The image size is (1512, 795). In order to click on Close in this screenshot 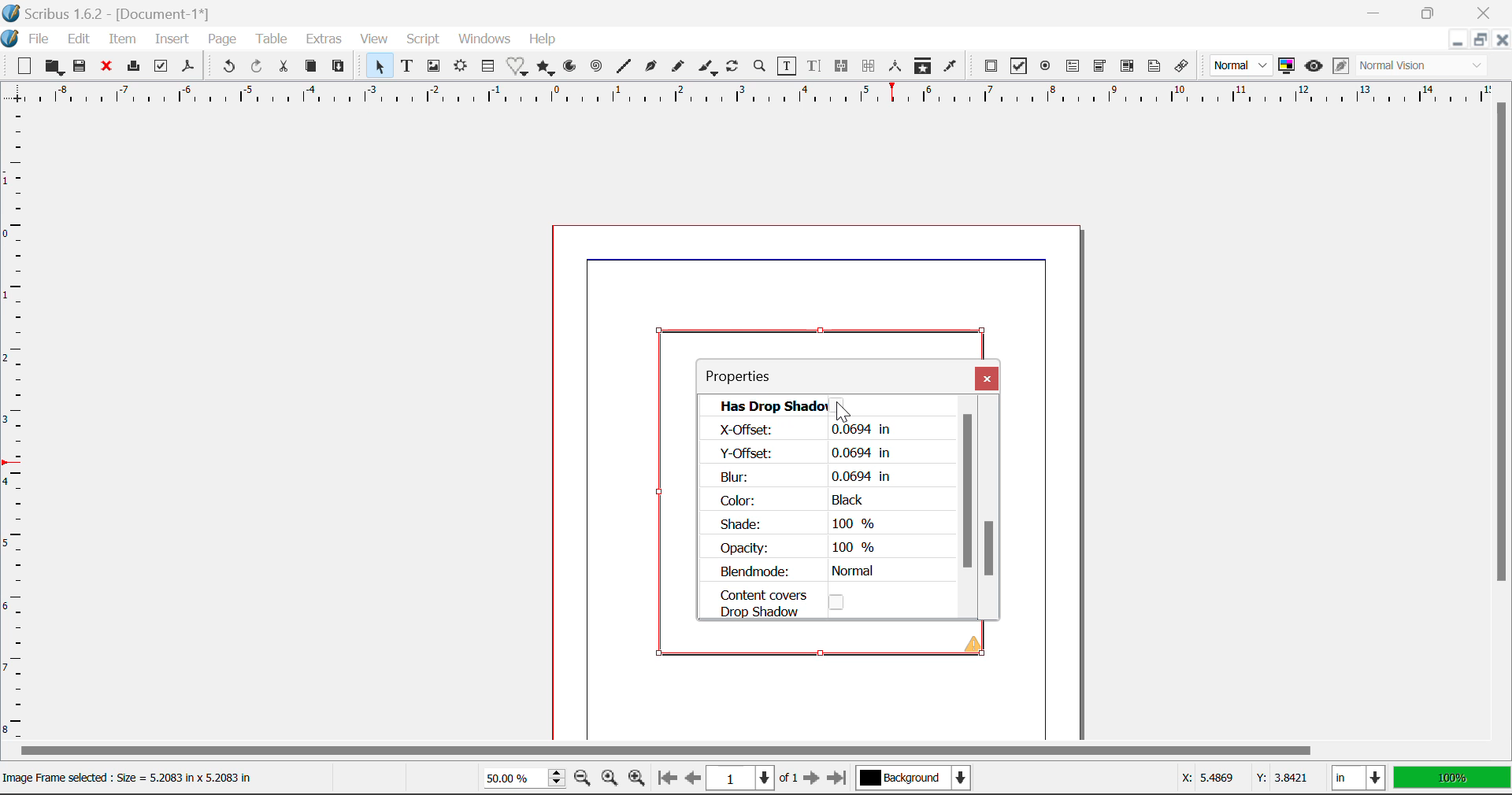, I will do `click(1502, 40)`.